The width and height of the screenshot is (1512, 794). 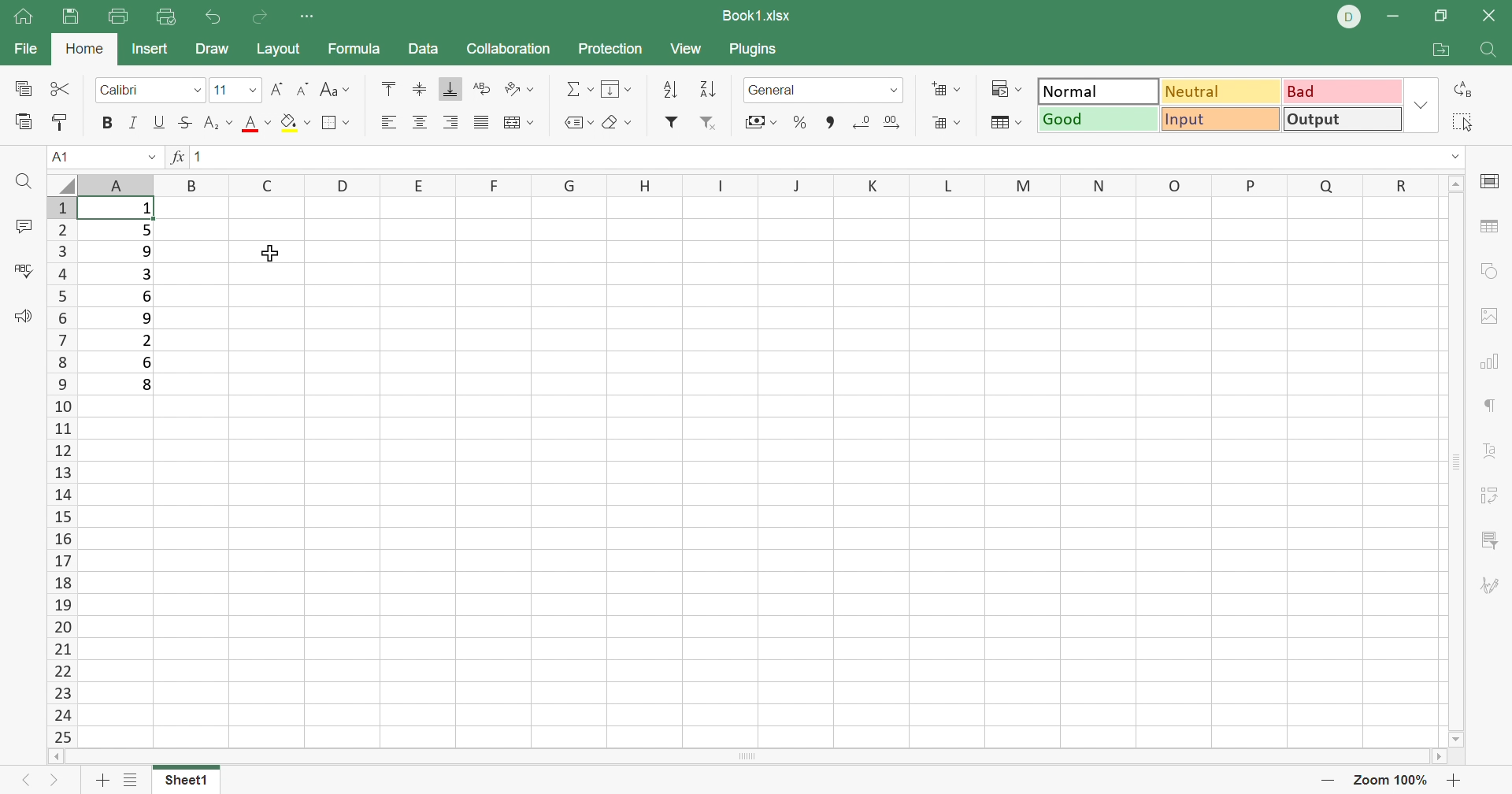 What do you see at coordinates (19, 783) in the screenshot?
I see `Left` at bounding box center [19, 783].